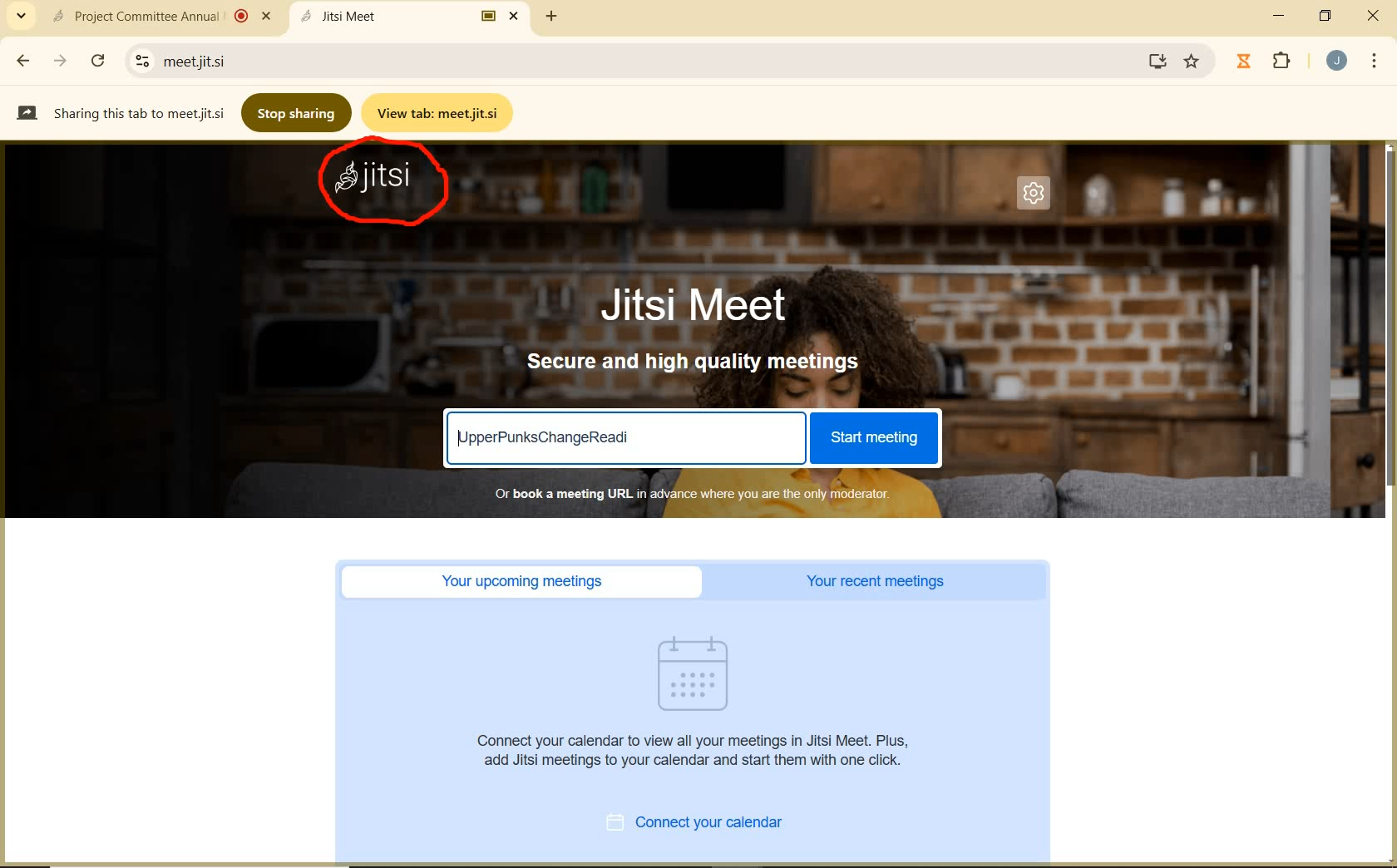  Describe the element at coordinates (139, 61) in the screenshot. I see `settings` at that location.